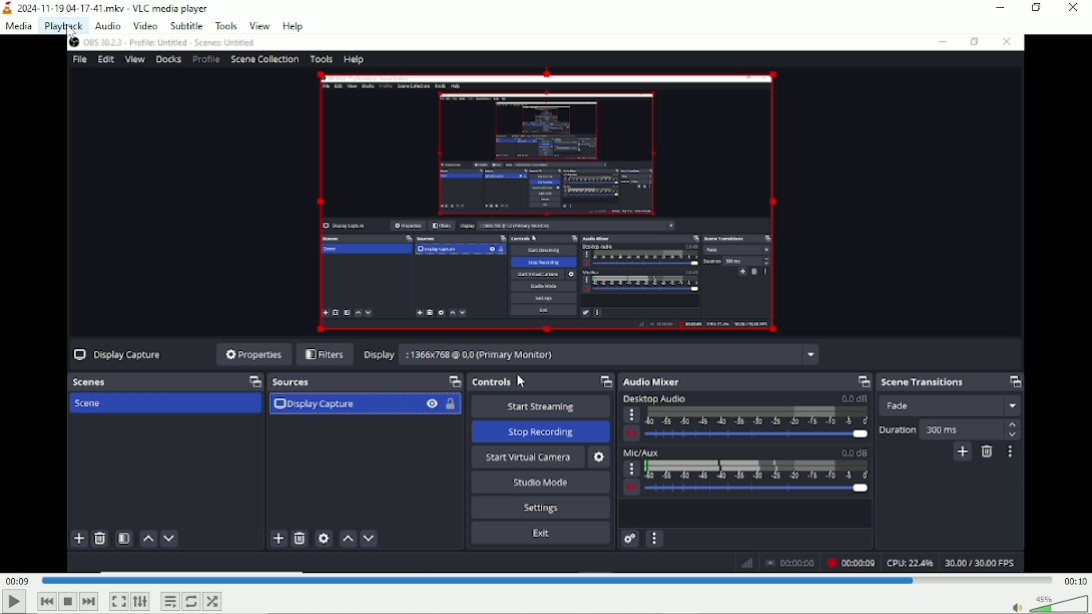 Image resolution: width=1092 pixels, height=614 pixels. Describe the element at coordinates (186, 26) in the screenshot. I see `Subtitle` at that location.